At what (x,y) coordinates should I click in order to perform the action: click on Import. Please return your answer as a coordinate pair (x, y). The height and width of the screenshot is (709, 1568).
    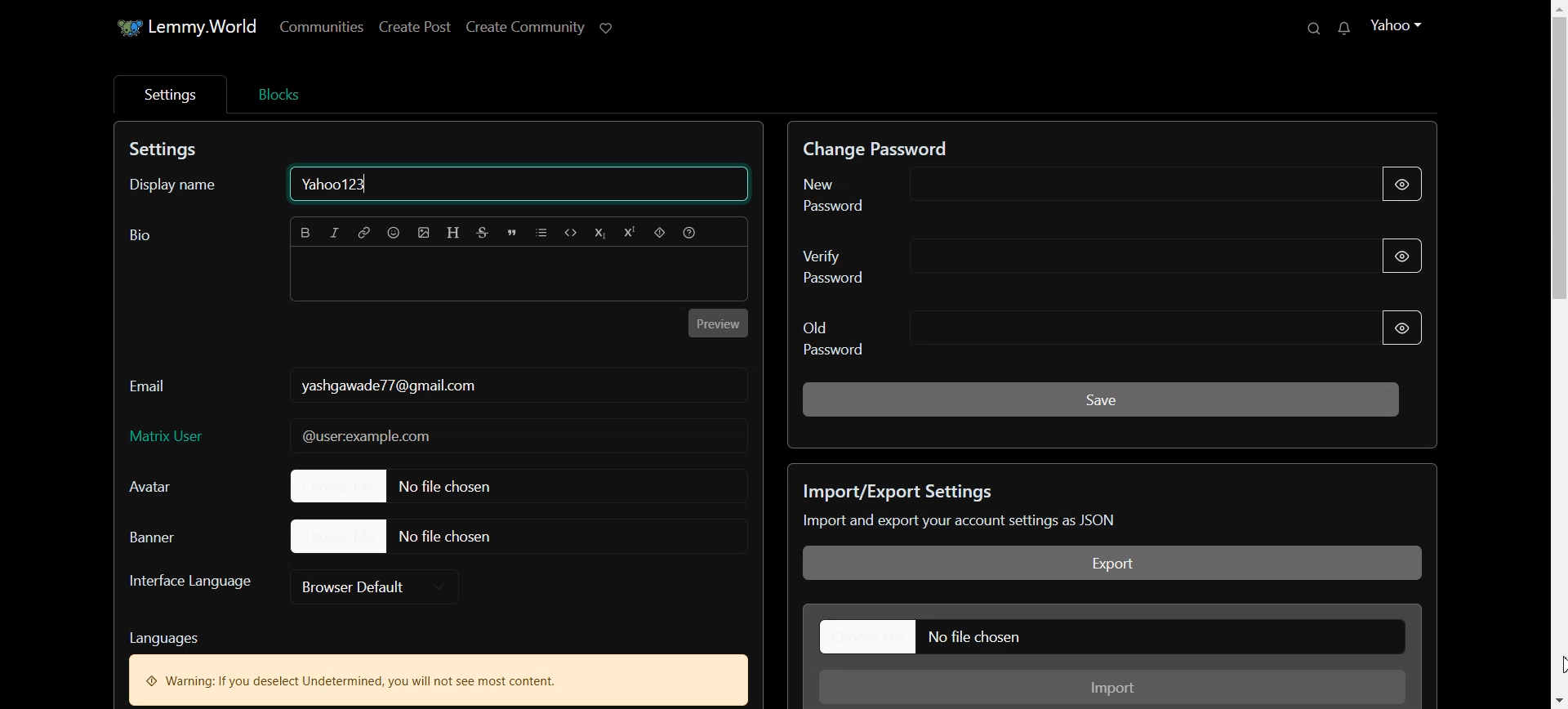
    Looking at the image, I should click on (1115, 688).